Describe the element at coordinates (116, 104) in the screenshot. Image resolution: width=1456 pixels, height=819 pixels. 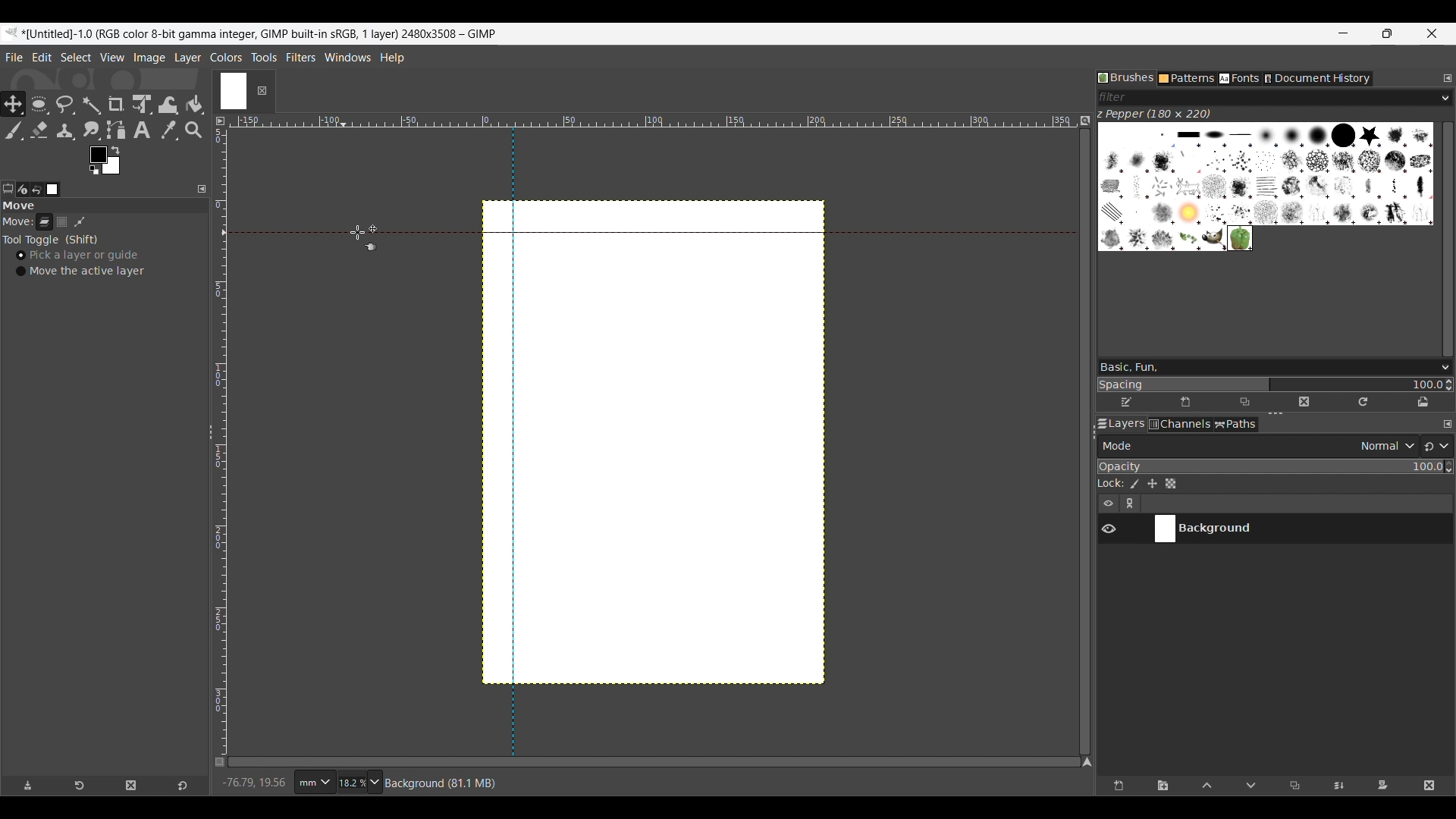
I see `Crop tool` at that location.